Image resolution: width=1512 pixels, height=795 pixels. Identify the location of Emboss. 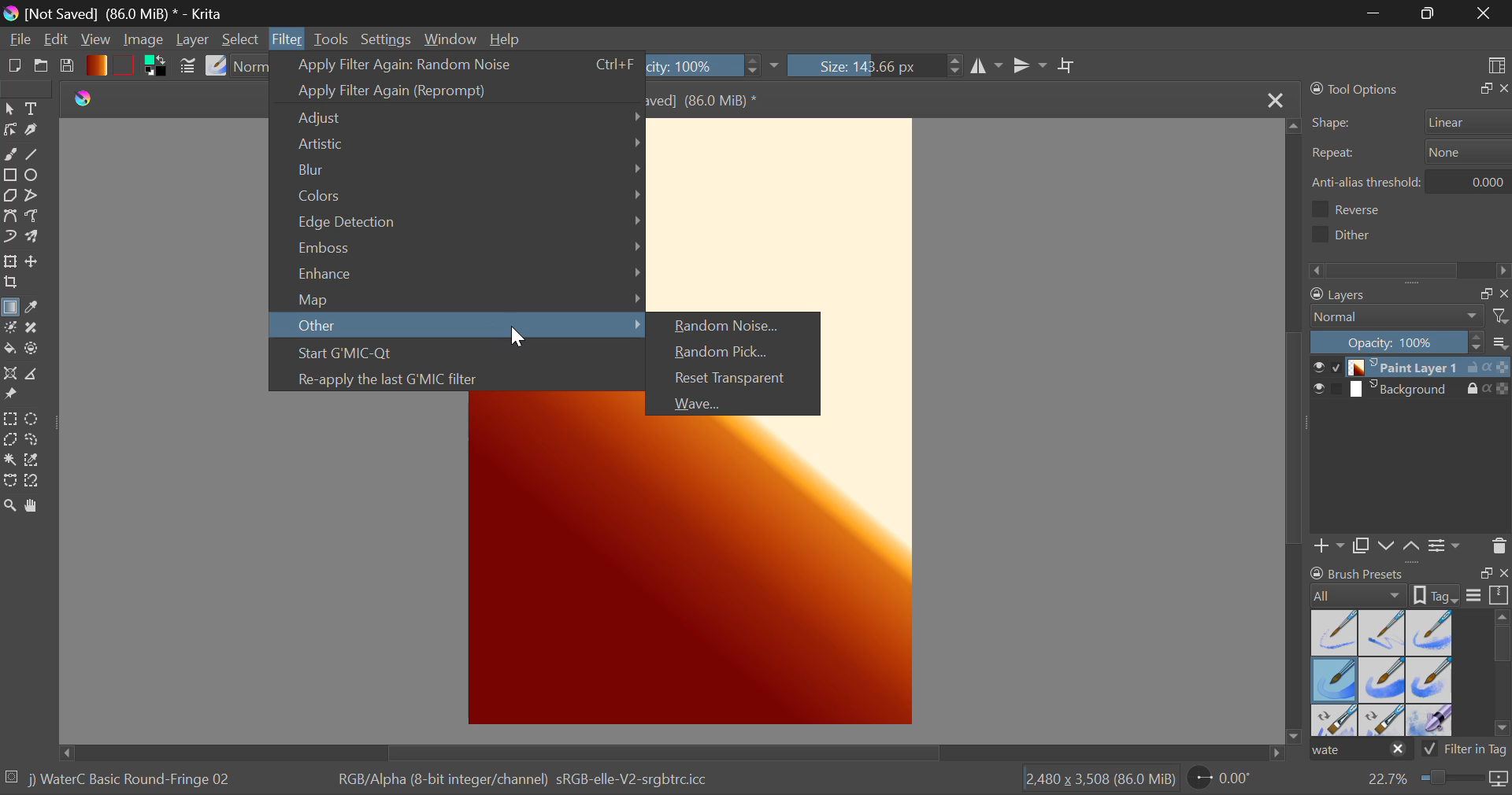
(458, 250).